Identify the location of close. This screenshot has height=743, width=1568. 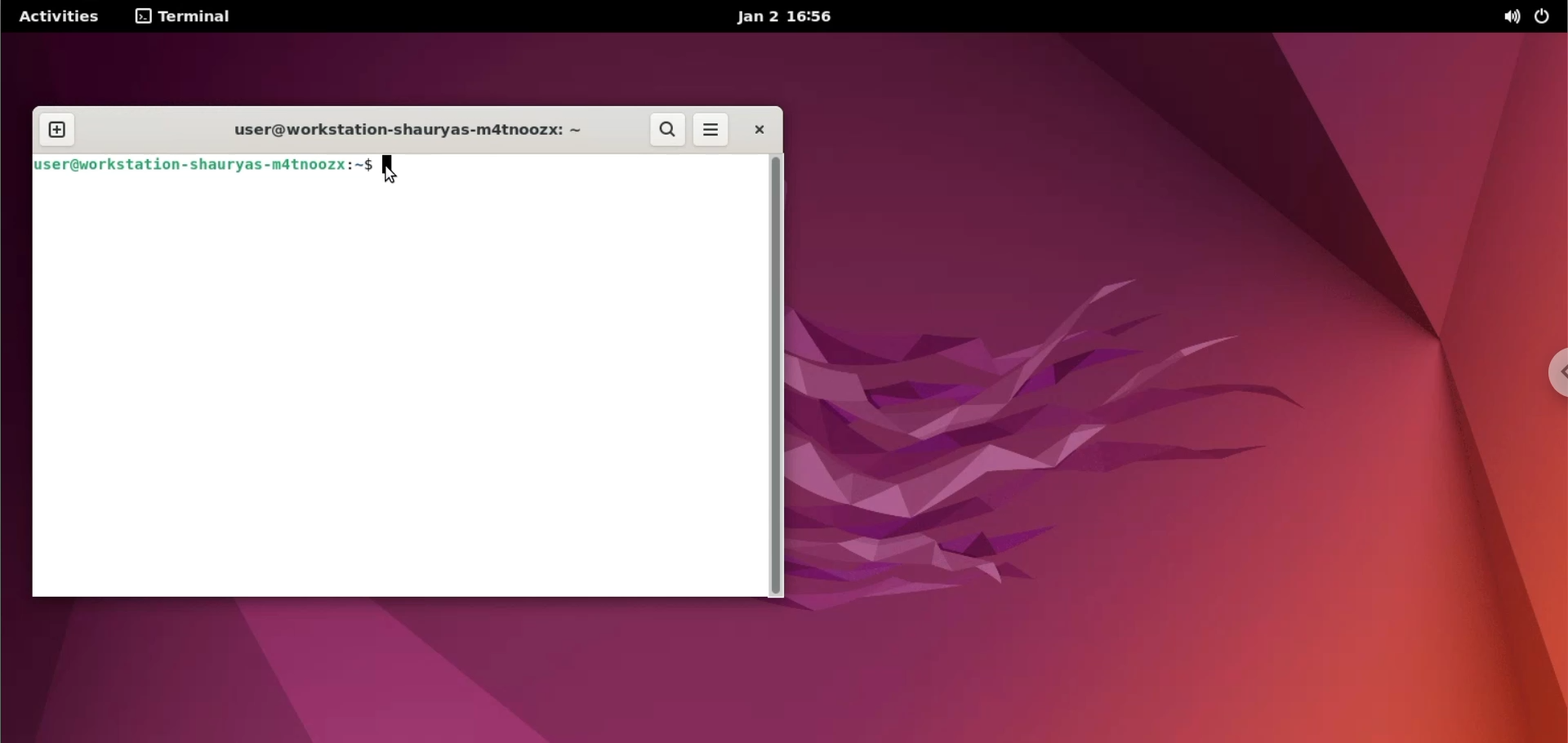
(753, 131).